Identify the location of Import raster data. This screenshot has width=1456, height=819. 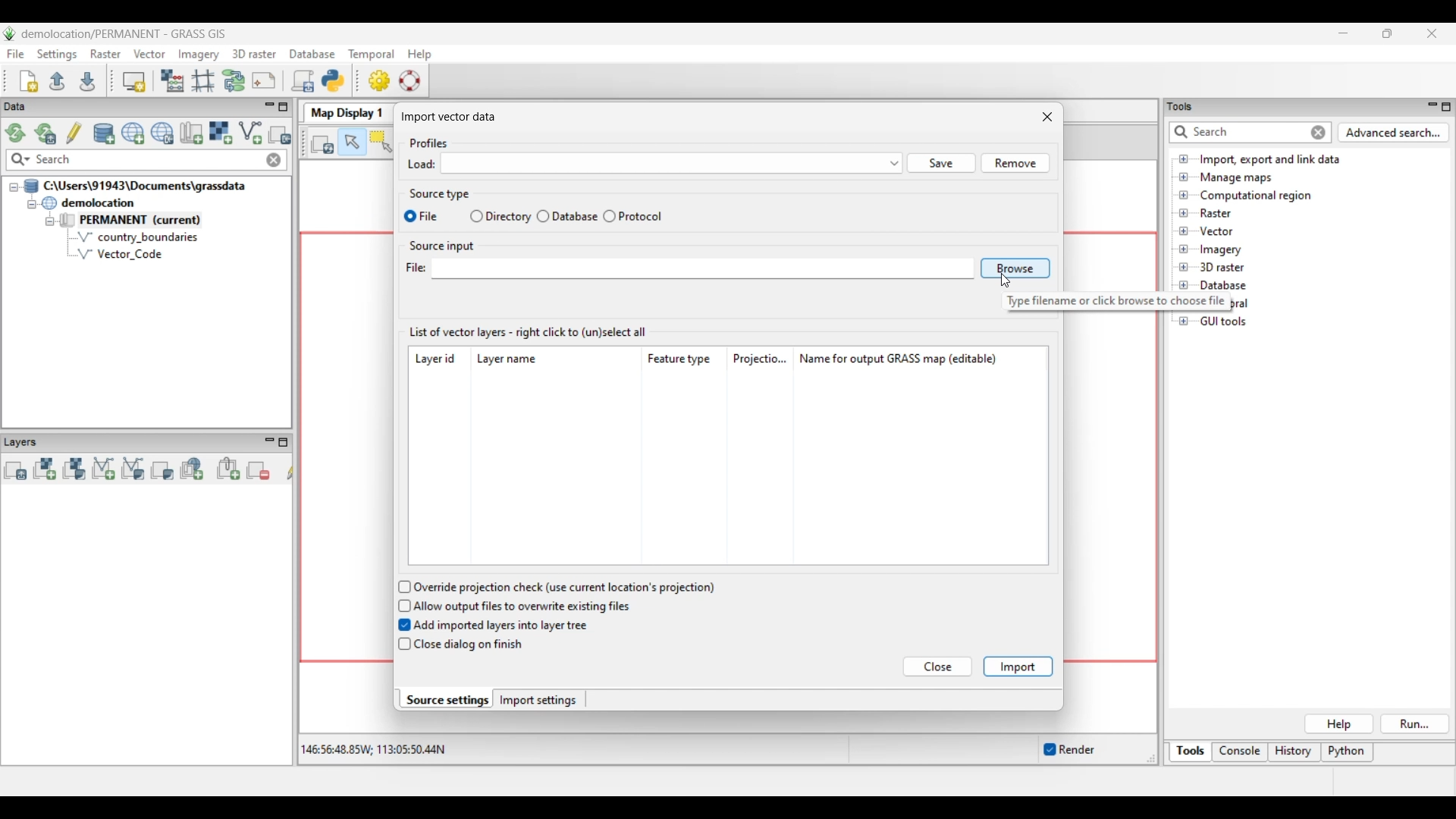
(218, 133).